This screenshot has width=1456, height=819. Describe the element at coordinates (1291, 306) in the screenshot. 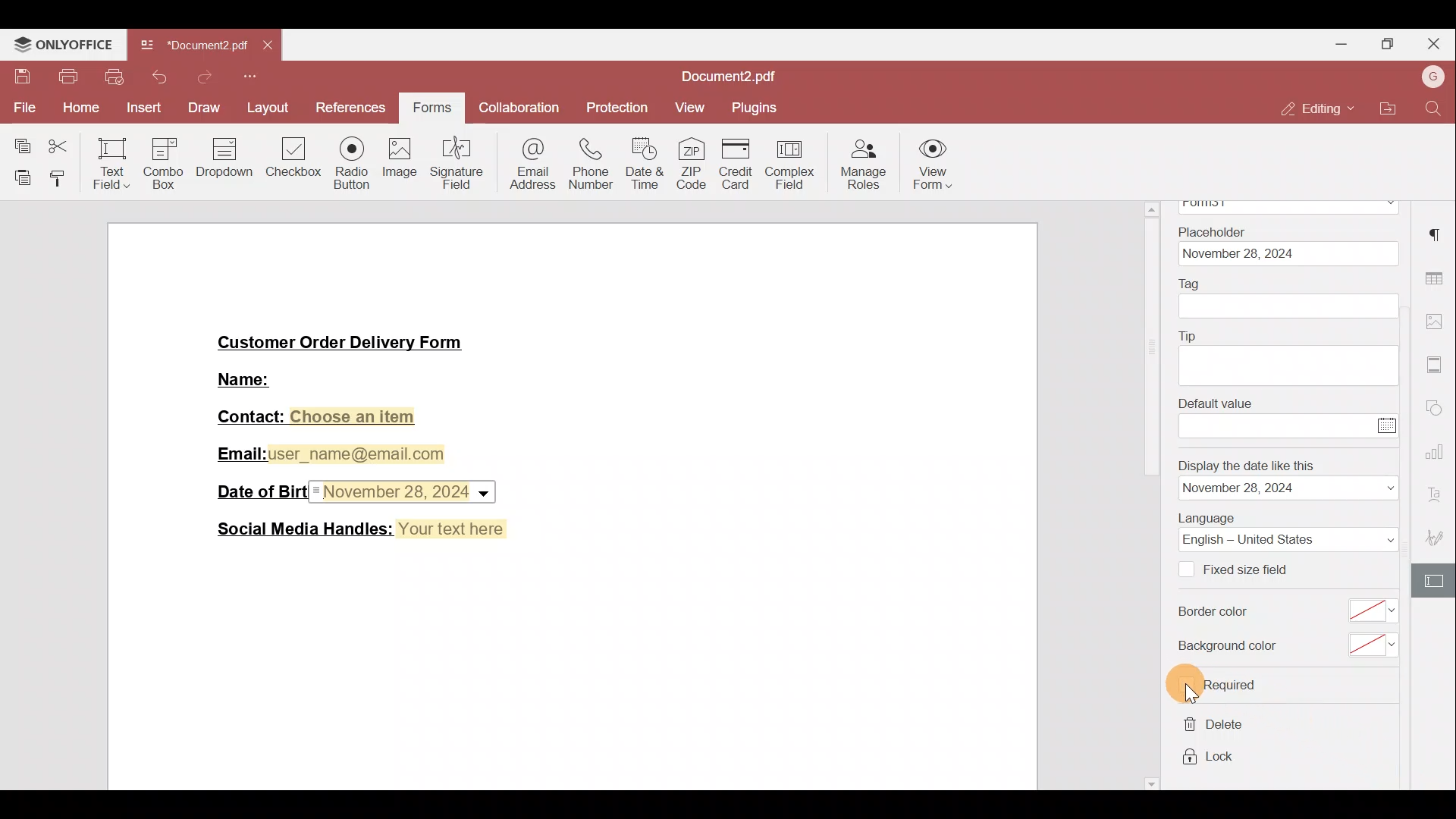

I see `tag` at that location.